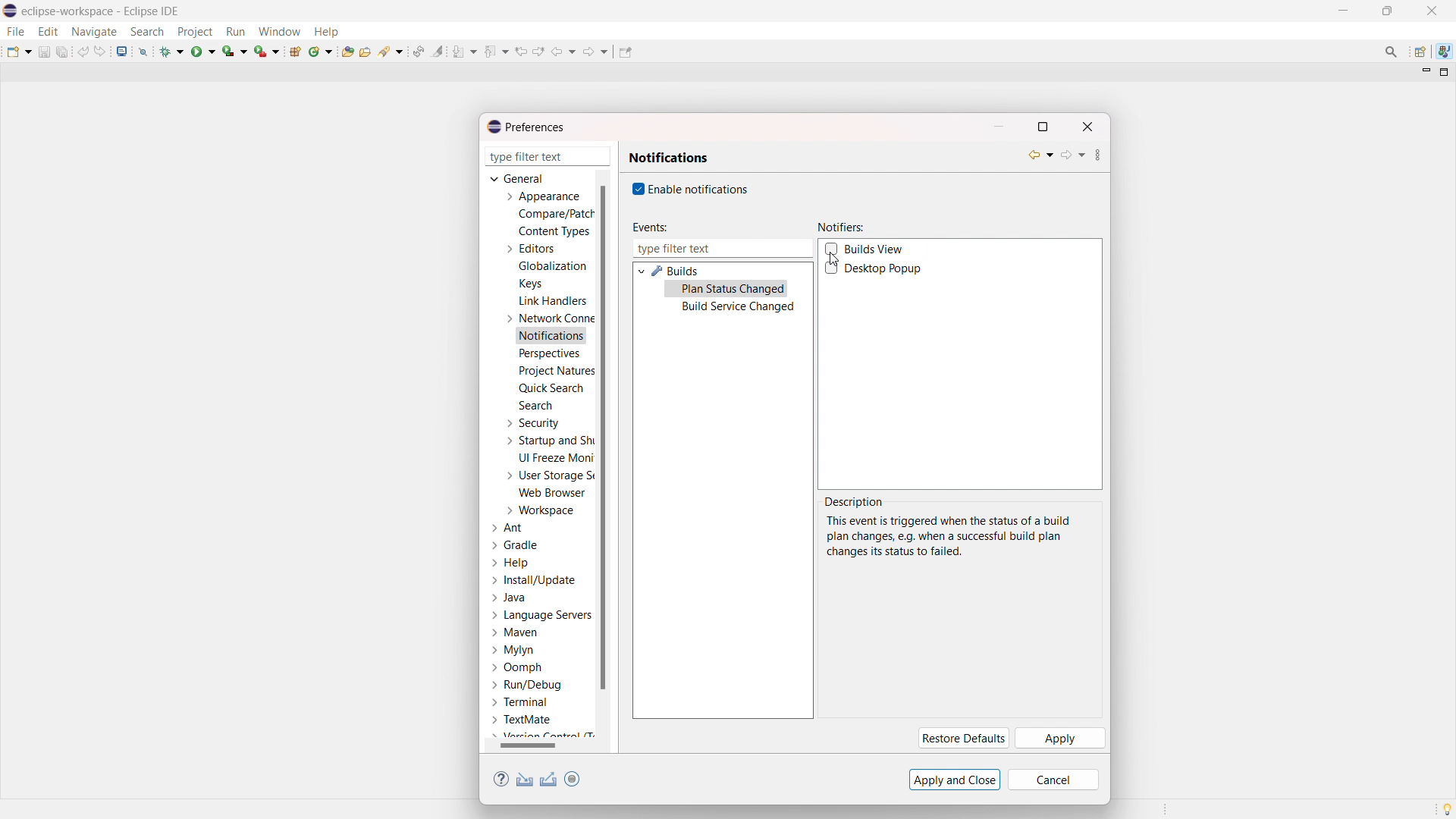 The height and width of the screenshot is (819, 1456). I want to click on navigate, so click(93, 31).